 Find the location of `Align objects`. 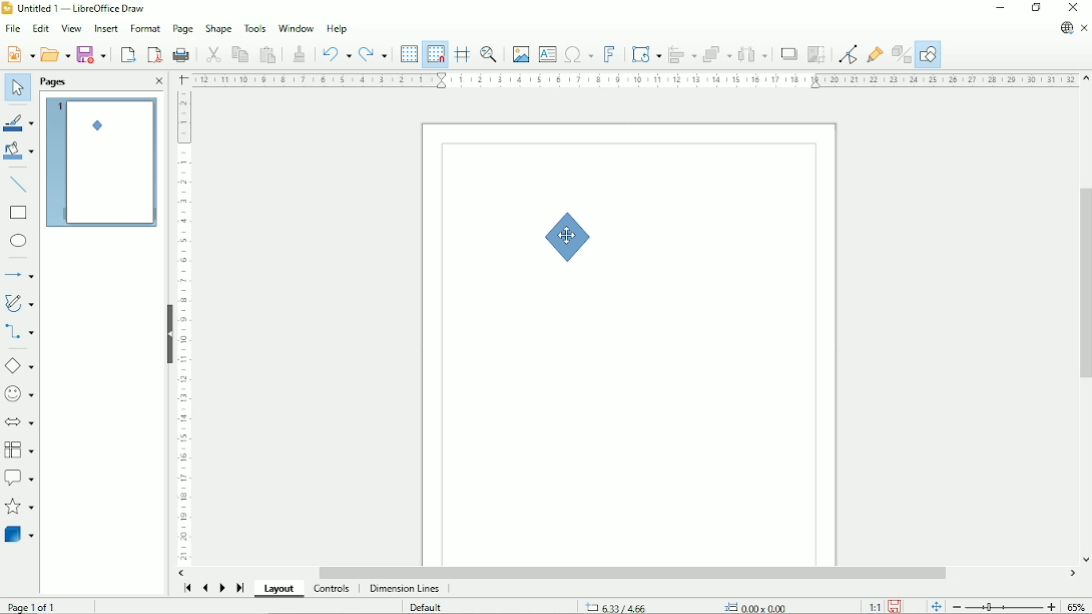

Align objects is located at coordinates (682, 53).